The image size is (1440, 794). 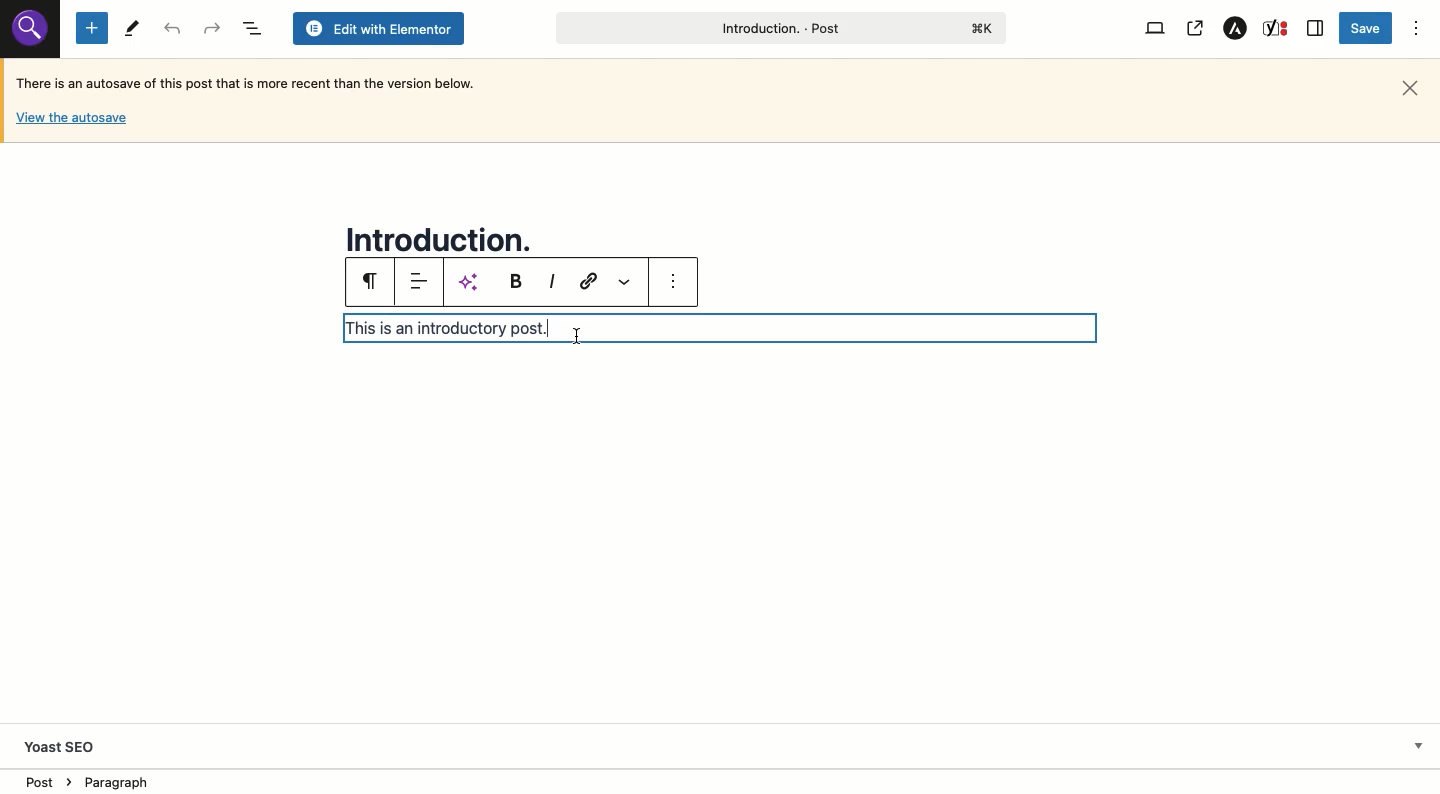 What do you see at coordinates (420, 281) in the screenshot?
I see `Align` at bounding box center [420, 281].